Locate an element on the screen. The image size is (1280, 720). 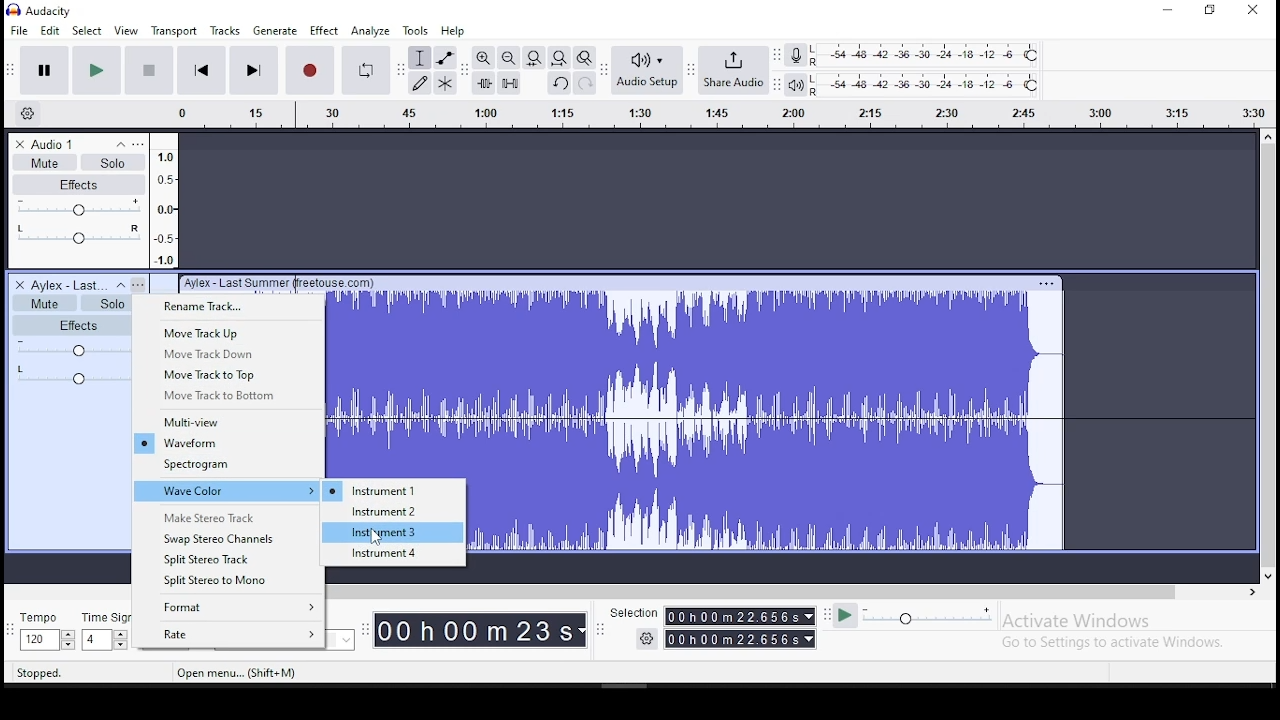
instrument 1 is located at coordinates (393, 490).